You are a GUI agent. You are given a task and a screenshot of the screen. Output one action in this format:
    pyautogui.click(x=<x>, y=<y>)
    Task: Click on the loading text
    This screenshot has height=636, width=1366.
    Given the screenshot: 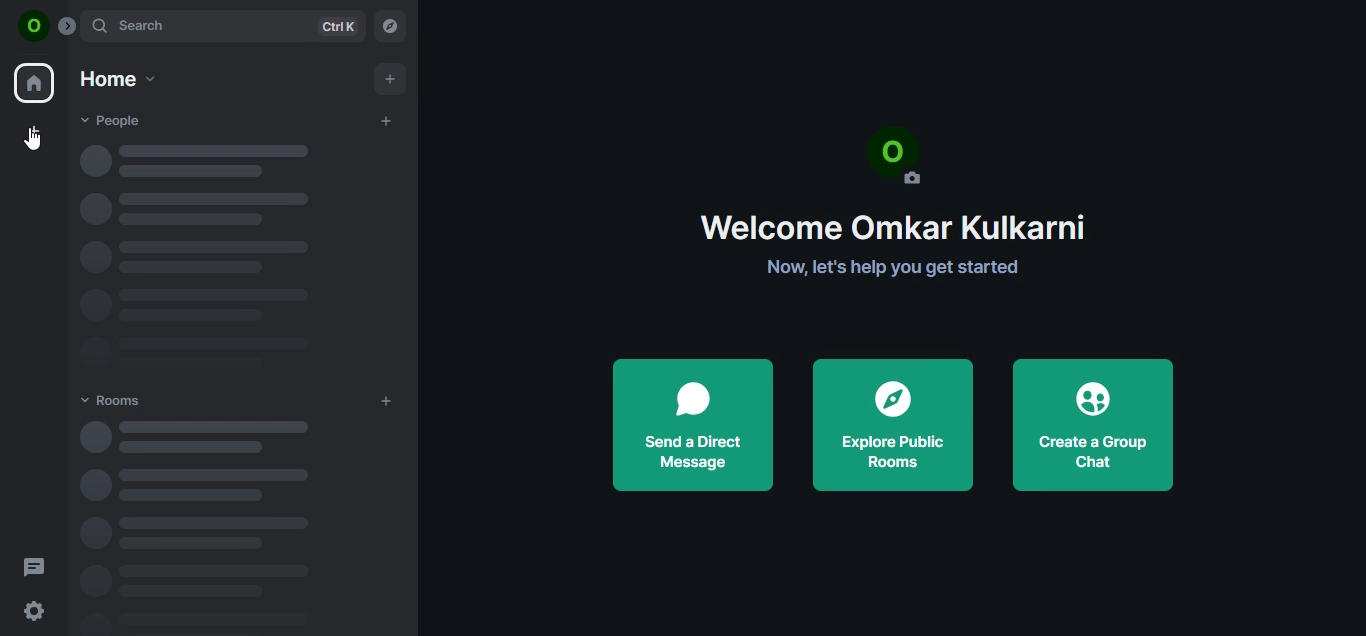 What is the action you would take?
    pyautogui.click(x=206, y=526)
    